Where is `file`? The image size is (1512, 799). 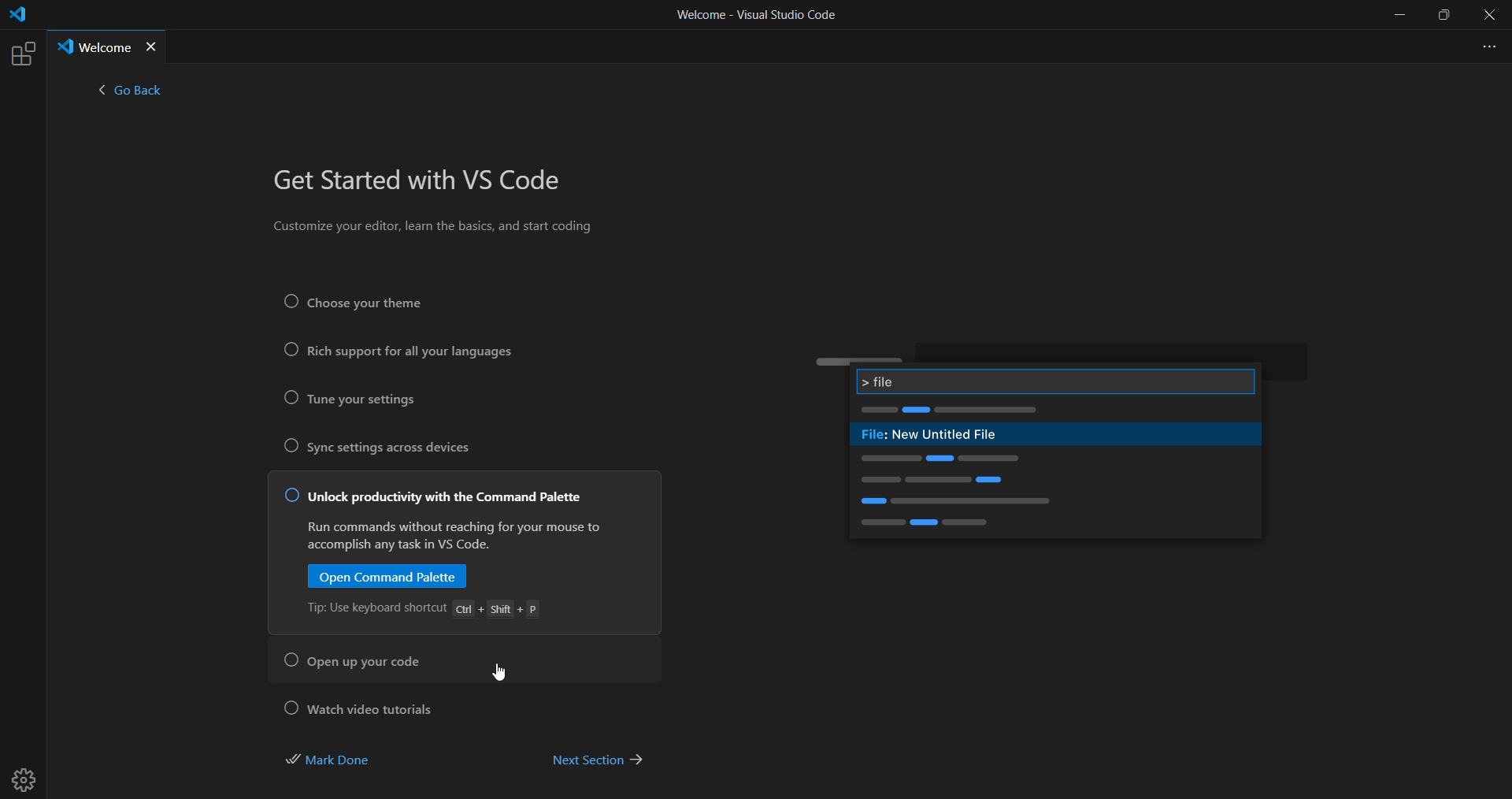
file is located at coordinates (1055, 380).